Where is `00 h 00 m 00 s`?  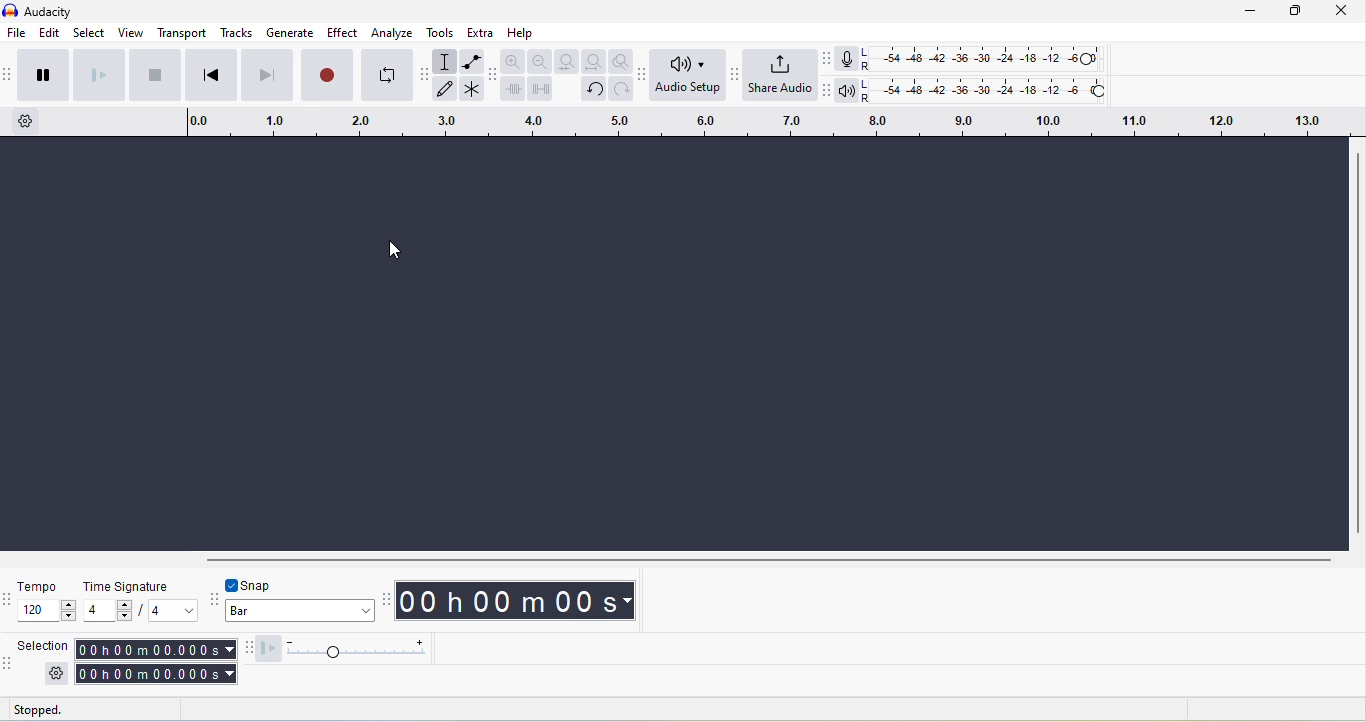
00 h 00 m 00 s is located at coordinates (521, 601).